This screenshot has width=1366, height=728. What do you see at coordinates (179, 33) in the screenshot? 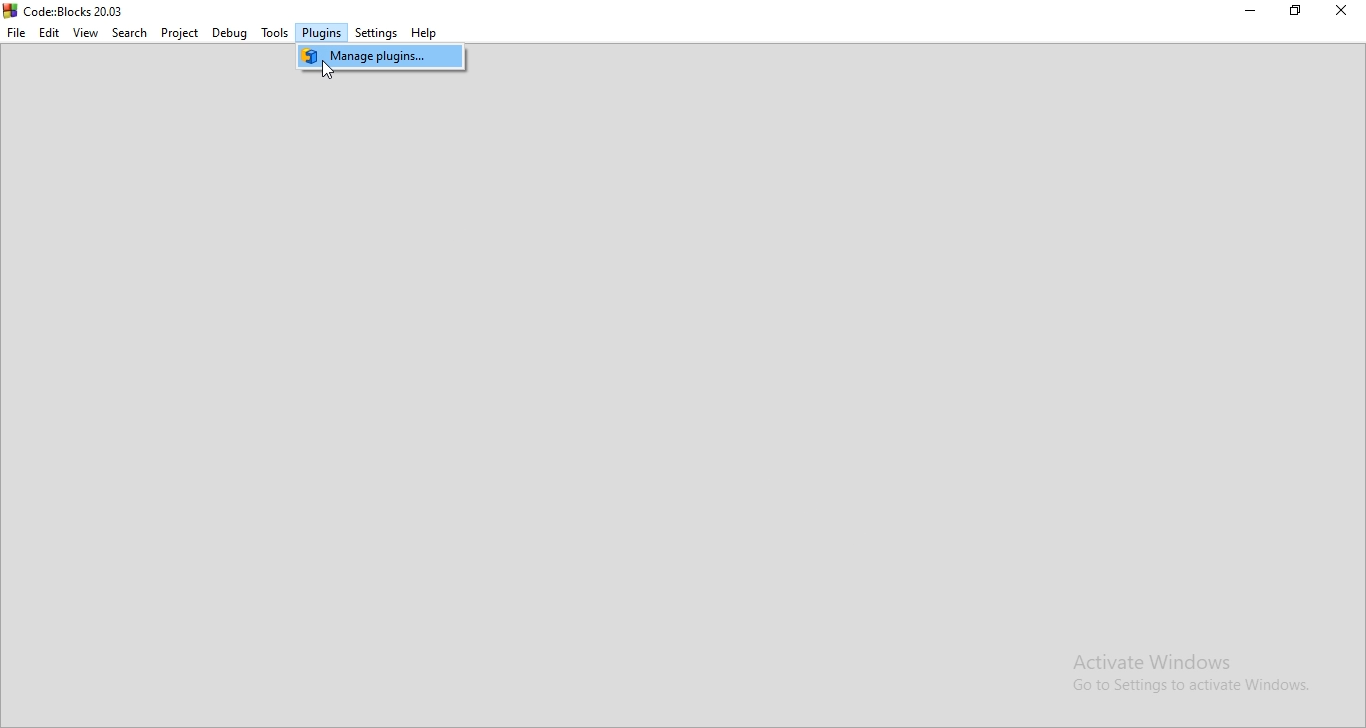
I see `Project` at bounding box center [179, 33].